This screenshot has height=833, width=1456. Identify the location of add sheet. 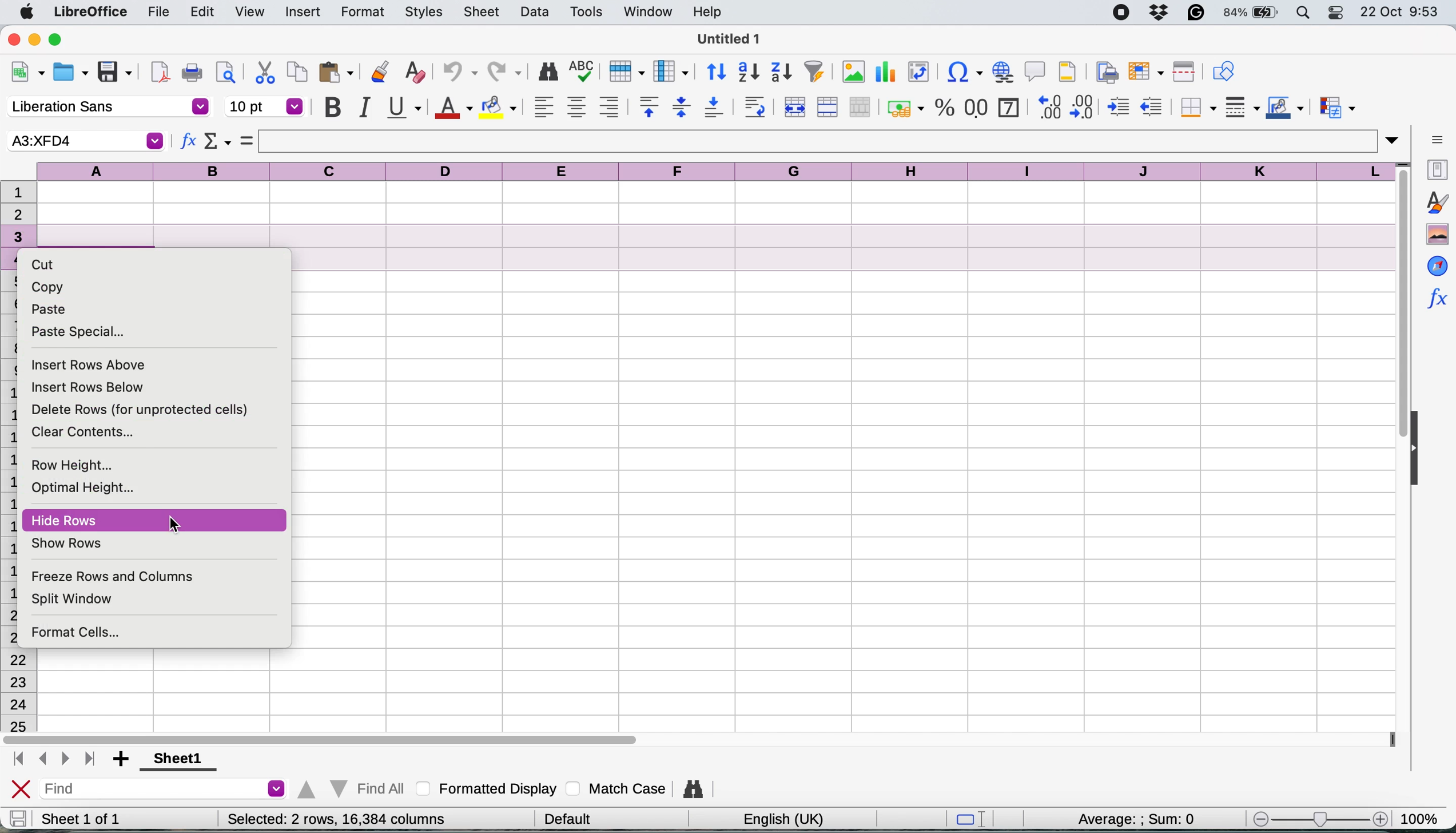
(123, 760).